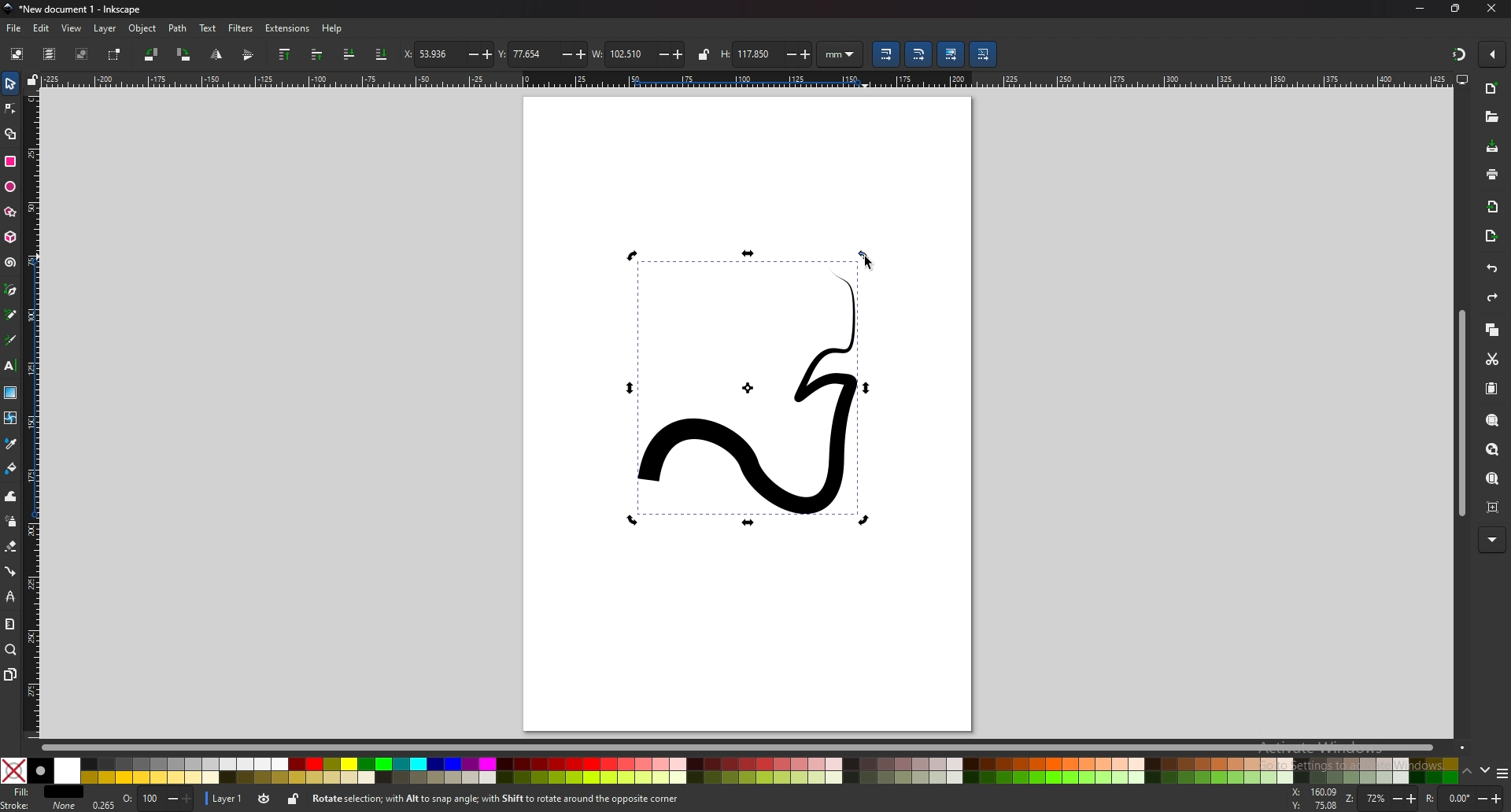 The width and height of the screenshot is (1511, 812). I want to click on dropper, so click(11, 443).